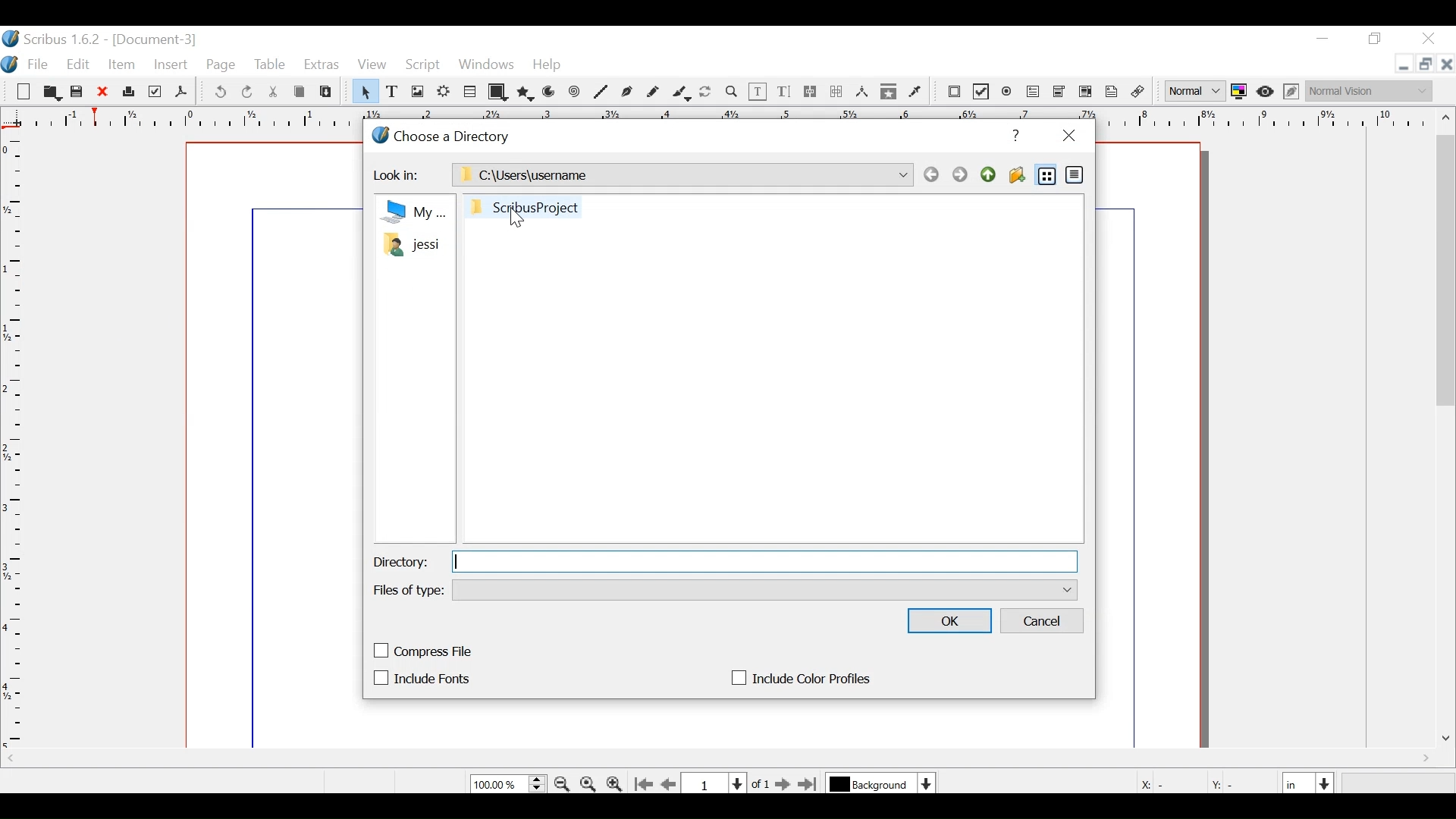  Describe the element at coordinates (670, 784) in the screenshot. I see `Go to previous page` at that location.